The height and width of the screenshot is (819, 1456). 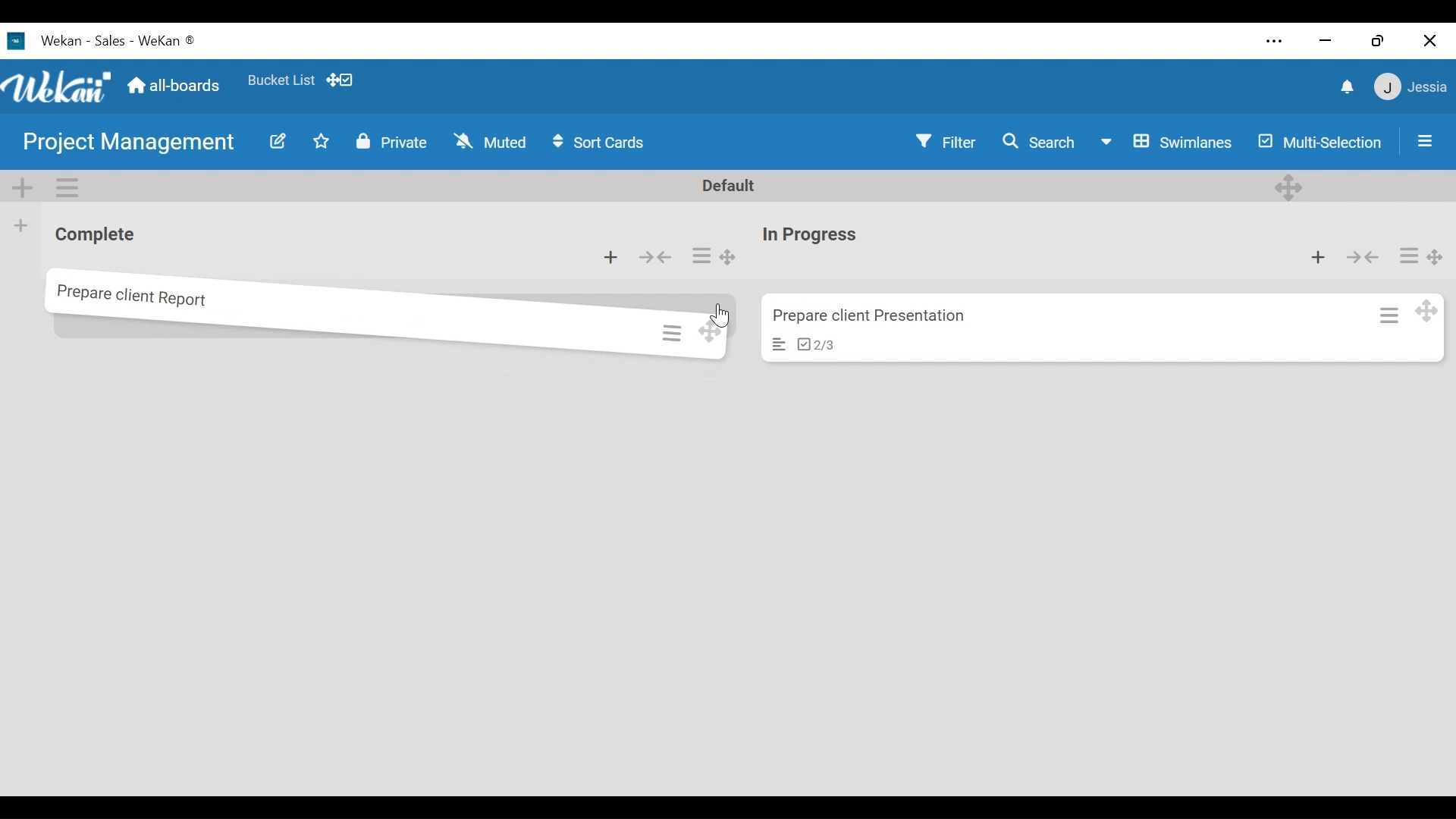 What do you see at coordinates (720, 333) in the screenshot?
I see `Desktop drag handles` at bounding box center [720, 333].